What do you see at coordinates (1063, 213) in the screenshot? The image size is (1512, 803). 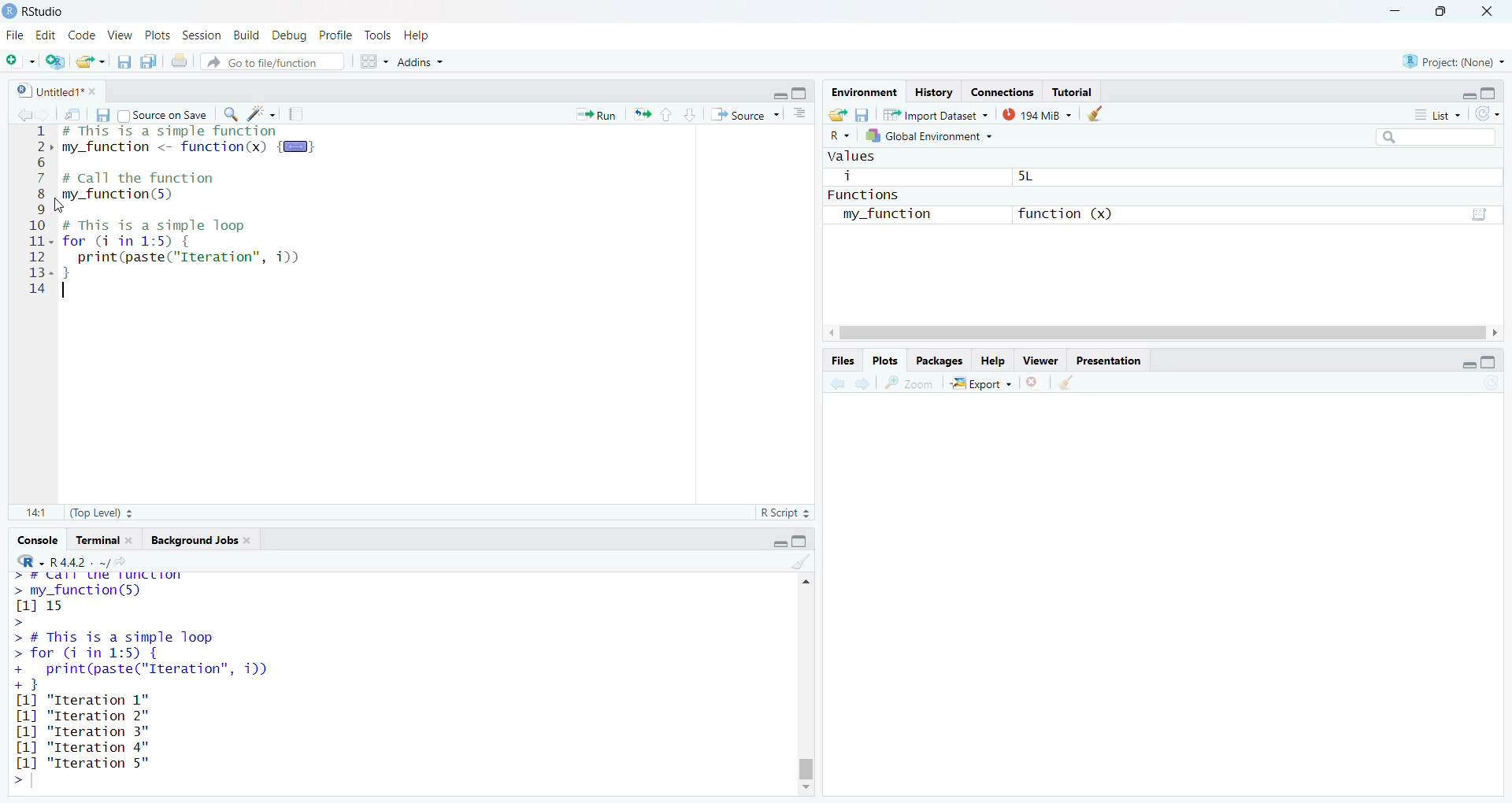 I see `function (x)` at bounding box center [1063, 213].